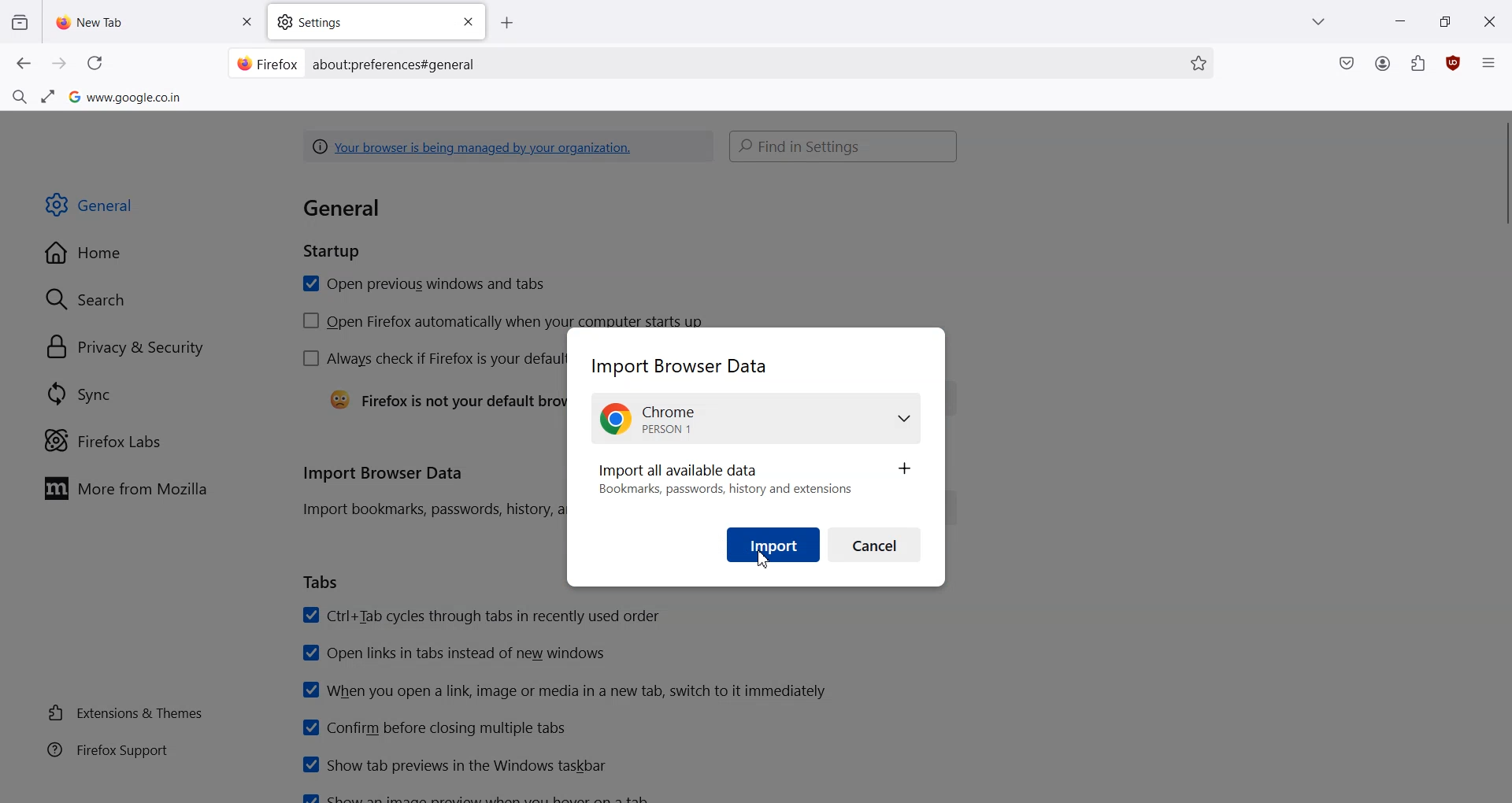 The height and width of the screenshot is (803, 1512). What do you see at coordinates (132, 488) in the screenshot?
I see `More from Mozilla` at bounding box center [132, 488].